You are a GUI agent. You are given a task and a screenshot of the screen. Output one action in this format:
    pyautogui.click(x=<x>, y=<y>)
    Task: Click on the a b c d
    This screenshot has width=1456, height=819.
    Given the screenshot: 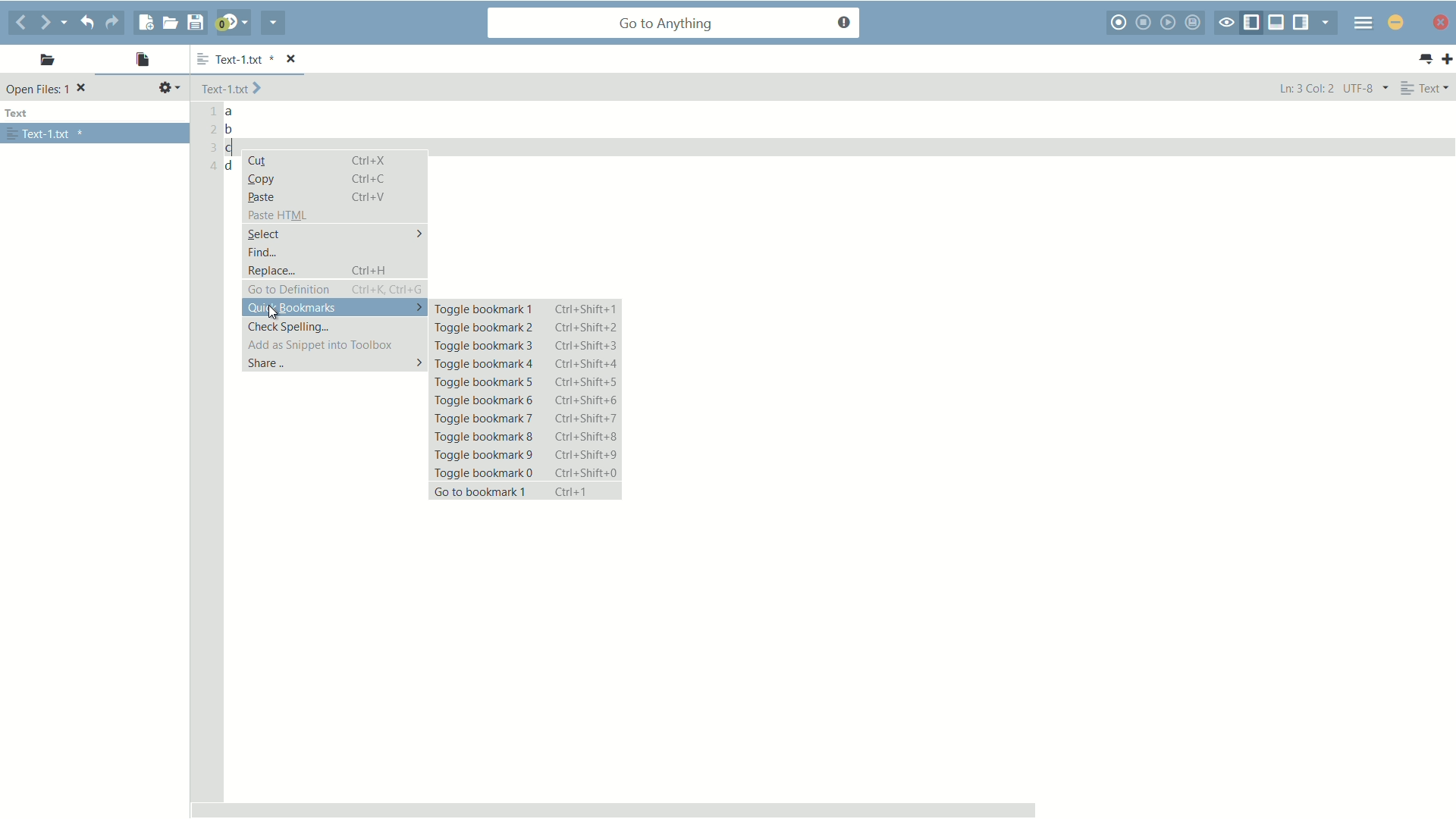 What is the action you would take?
    pyautogui.click(x=232, y=140)
    